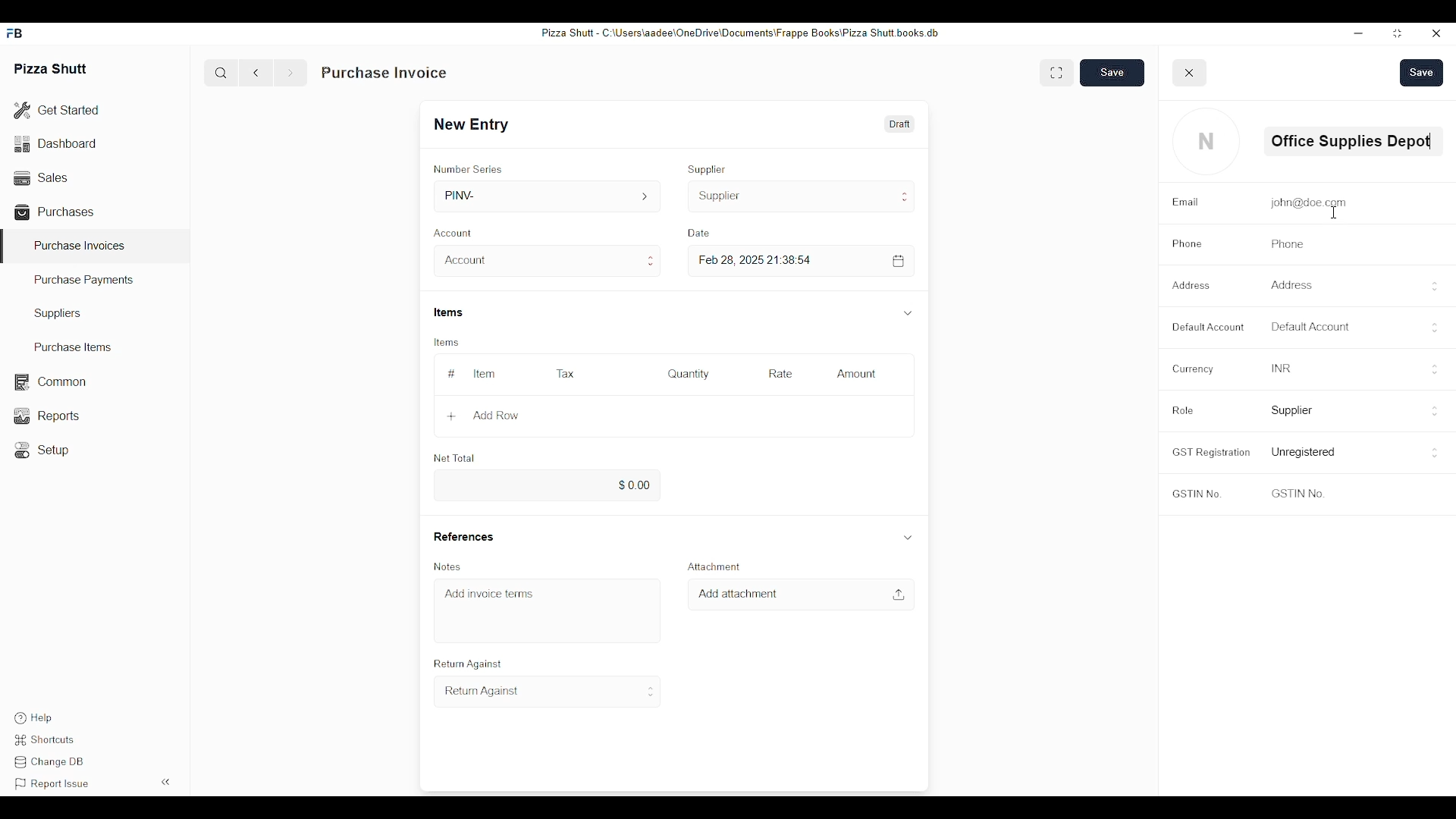 This screenshot has height=819, width=1456. What do you see at coordinates (1112, 72) in the screenshot?
I see `Save` at bounding box center [1112, 72].